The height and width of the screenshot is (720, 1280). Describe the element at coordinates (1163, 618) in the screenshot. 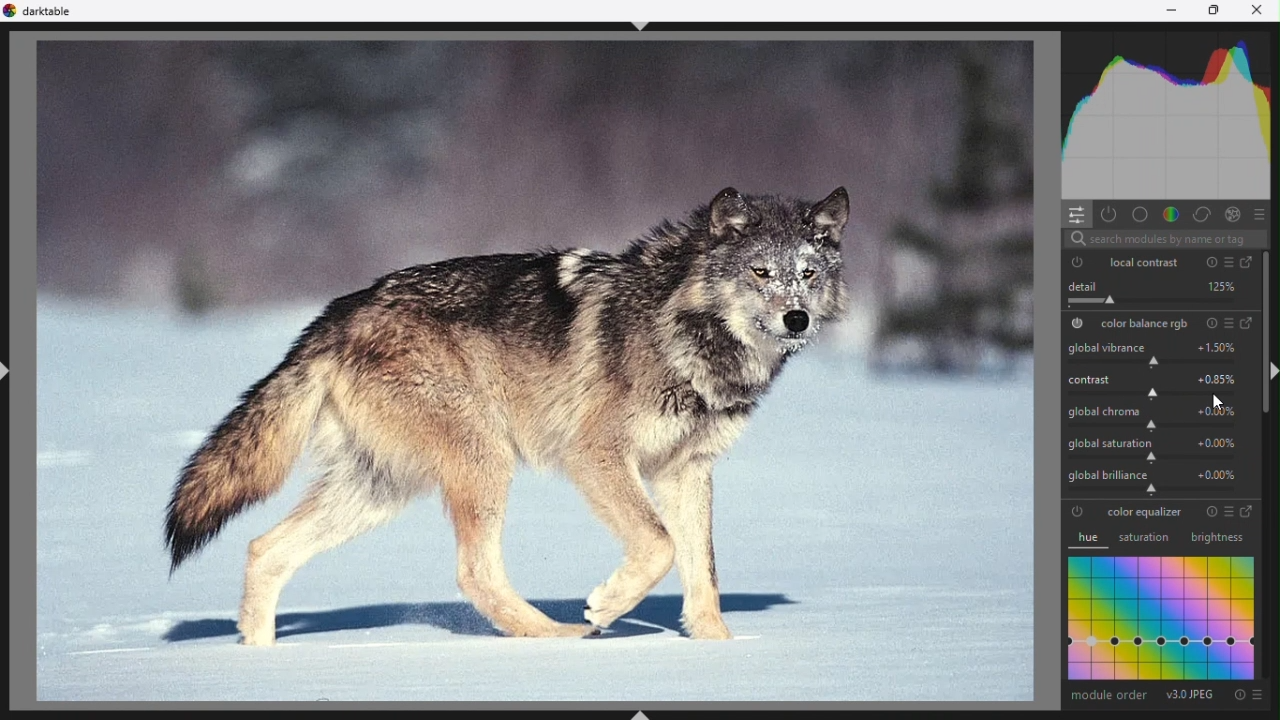

I see `graph(color equalizer)` at that location.